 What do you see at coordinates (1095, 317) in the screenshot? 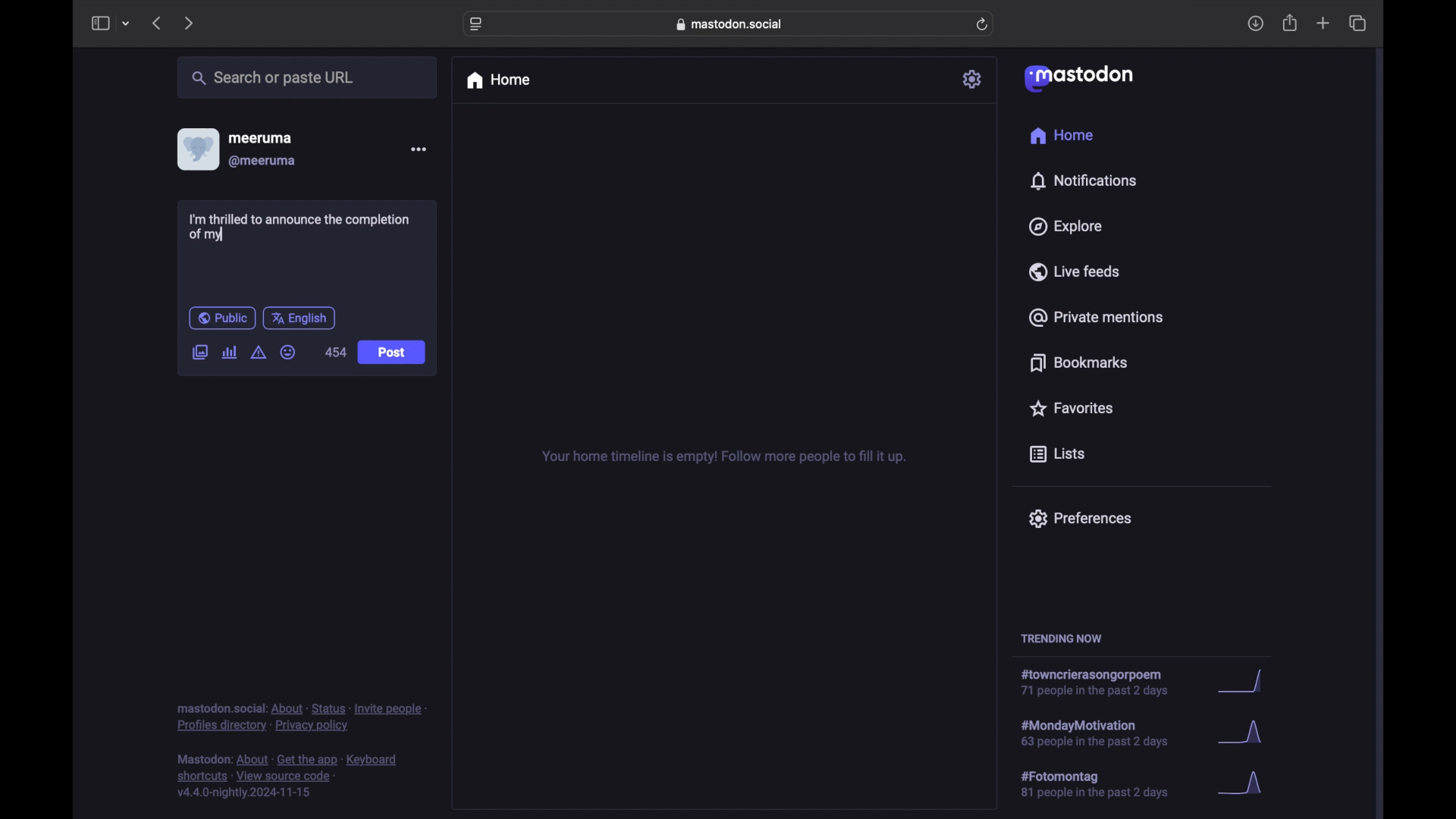
I see `private mentions` at bounding box center [1095, 317].